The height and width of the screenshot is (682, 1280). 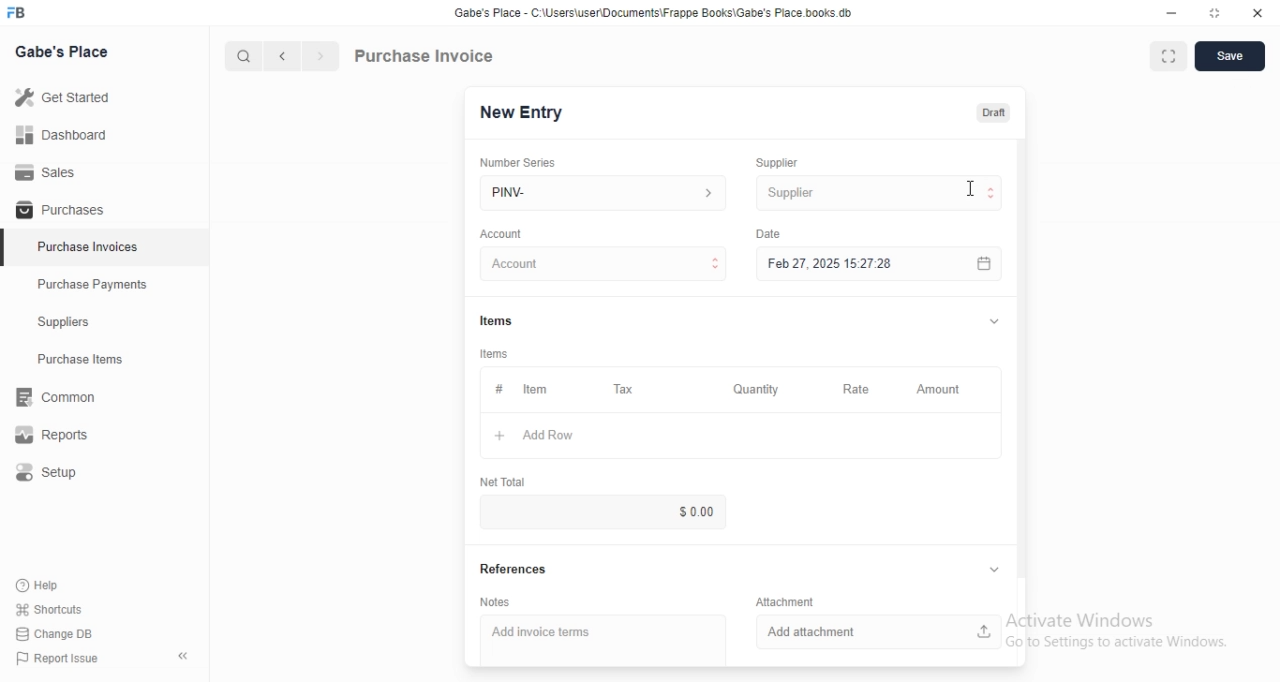 What do you see at coordinates (1230, 56) in the screenshot?
I see `Save` at bounding box center [1230, 56].